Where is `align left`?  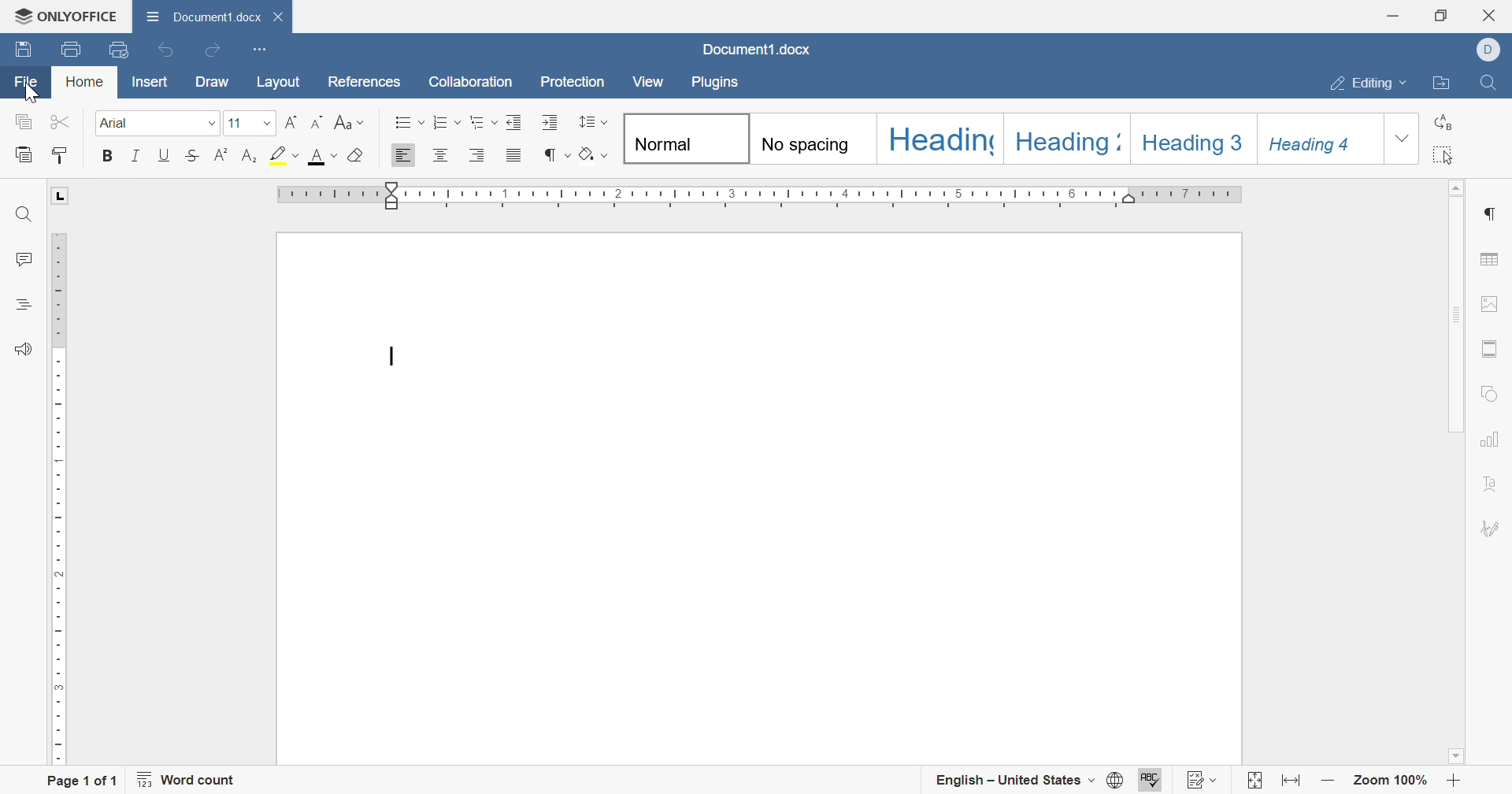
align left is located at coordinates (400, 157).